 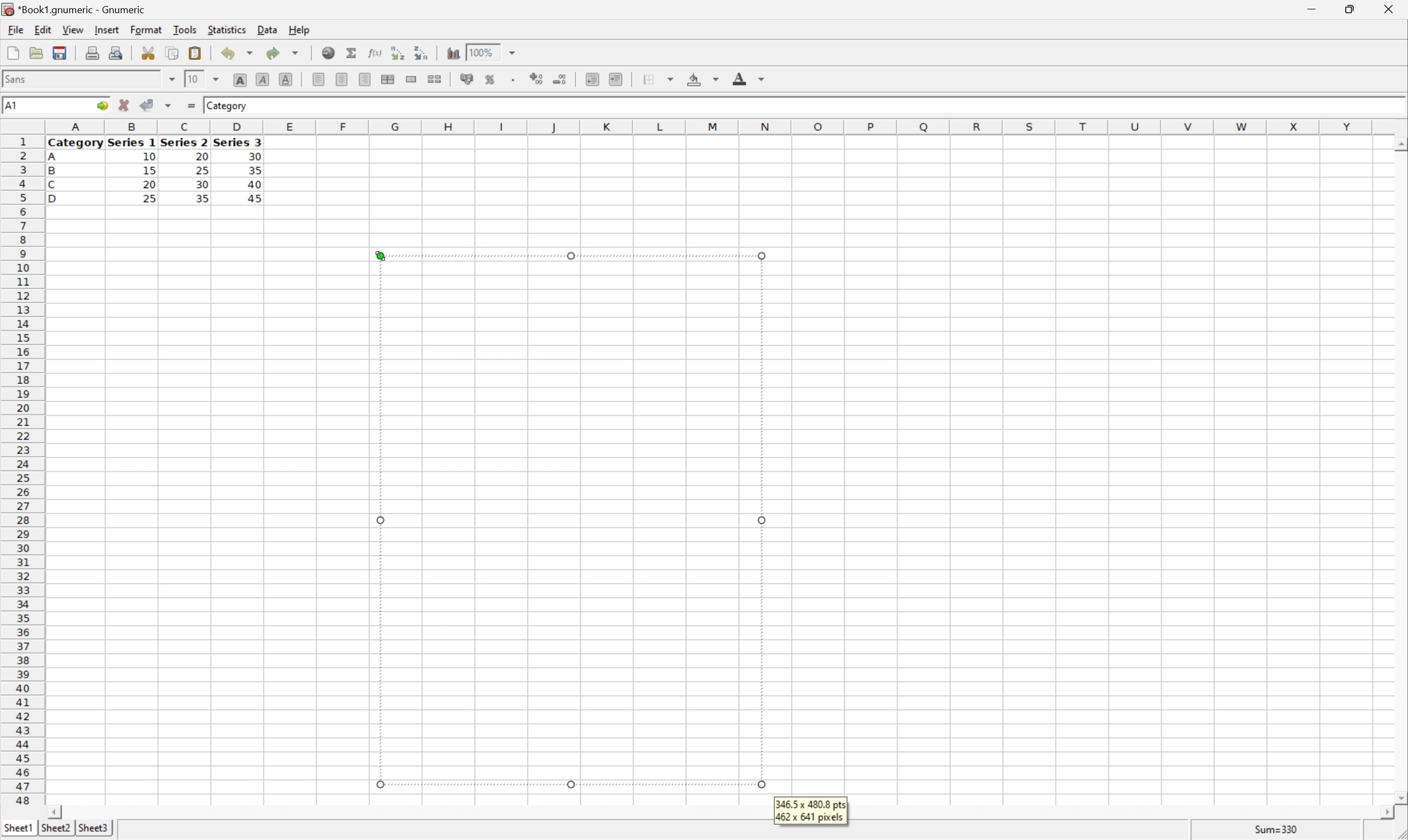 I want to click on Align Left, so click(x=317, y=77).